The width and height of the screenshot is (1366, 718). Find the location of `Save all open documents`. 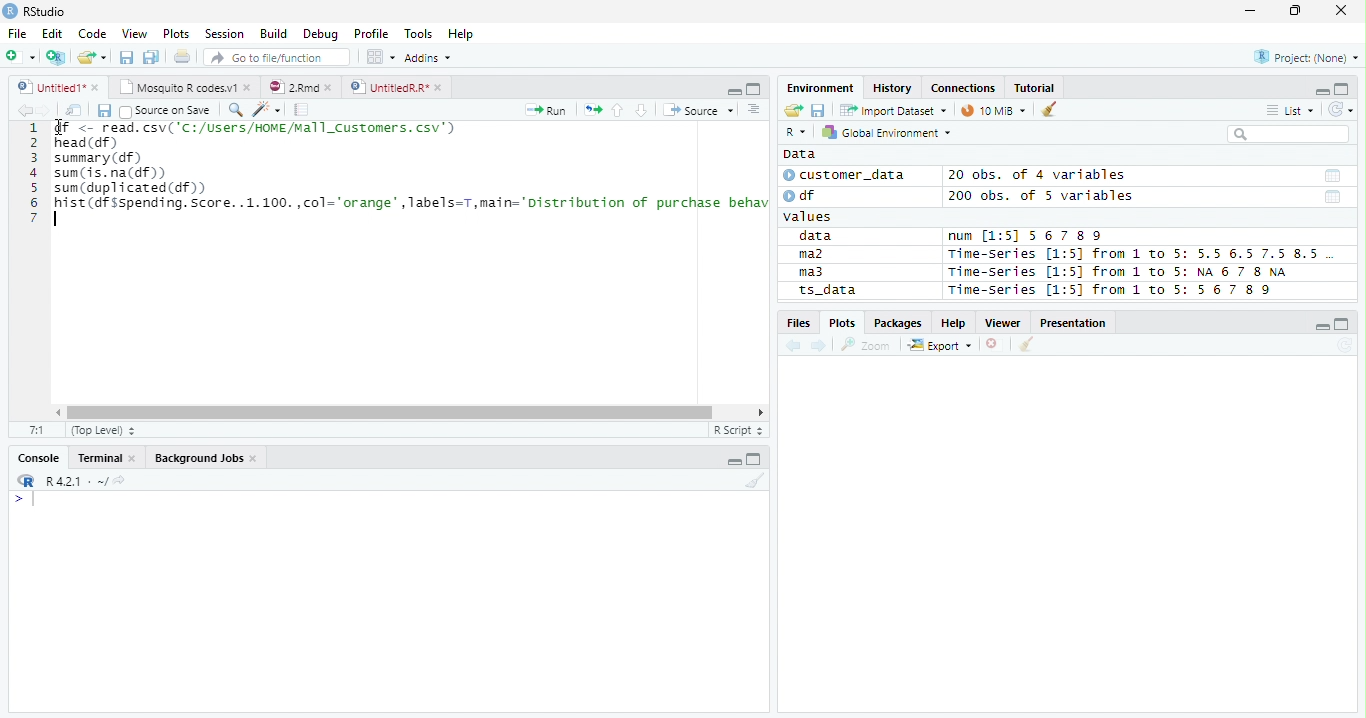

Save all open documents is located at coordinates (151, 58).